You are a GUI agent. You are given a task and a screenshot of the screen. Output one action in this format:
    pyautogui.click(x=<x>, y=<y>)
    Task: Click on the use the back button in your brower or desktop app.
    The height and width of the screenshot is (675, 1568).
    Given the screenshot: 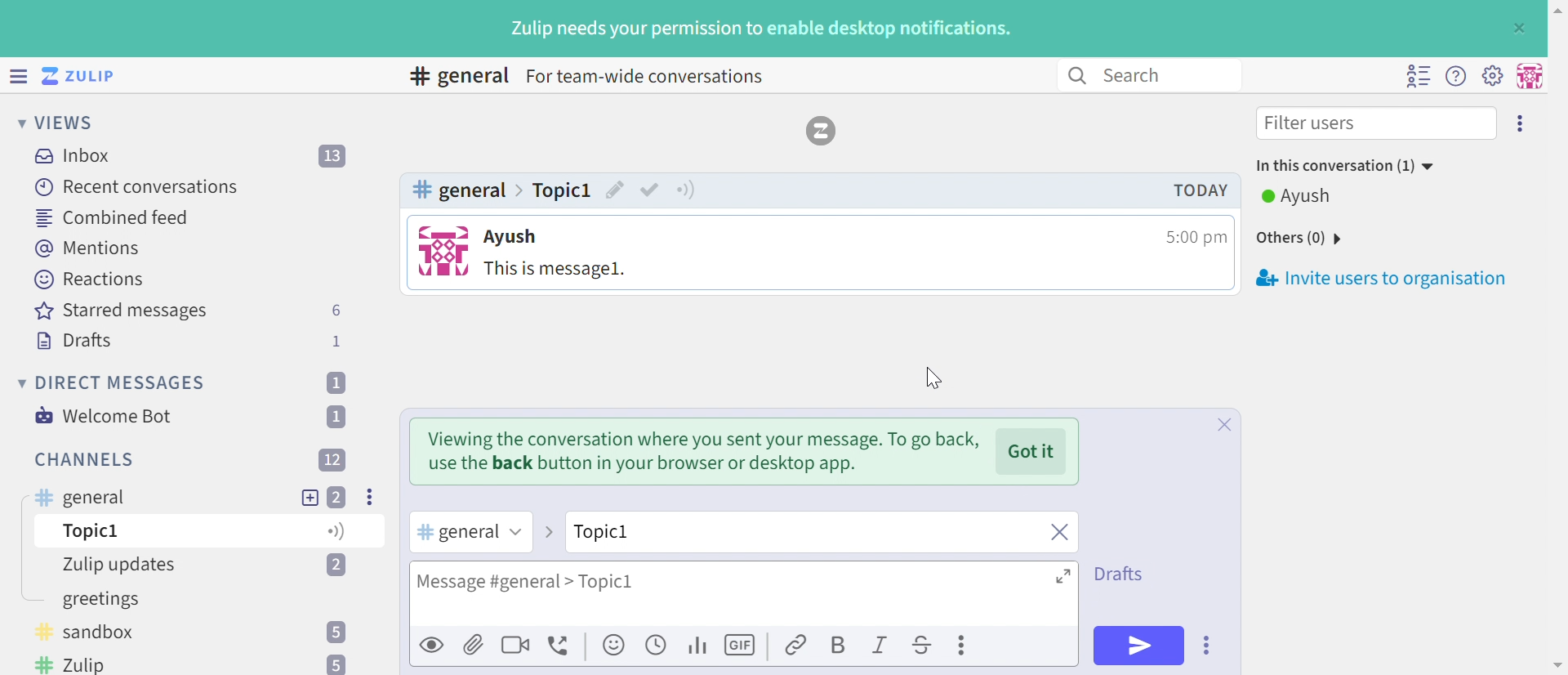 What is the action you would take?
    pyautogui.click(x=644, y=465)
    